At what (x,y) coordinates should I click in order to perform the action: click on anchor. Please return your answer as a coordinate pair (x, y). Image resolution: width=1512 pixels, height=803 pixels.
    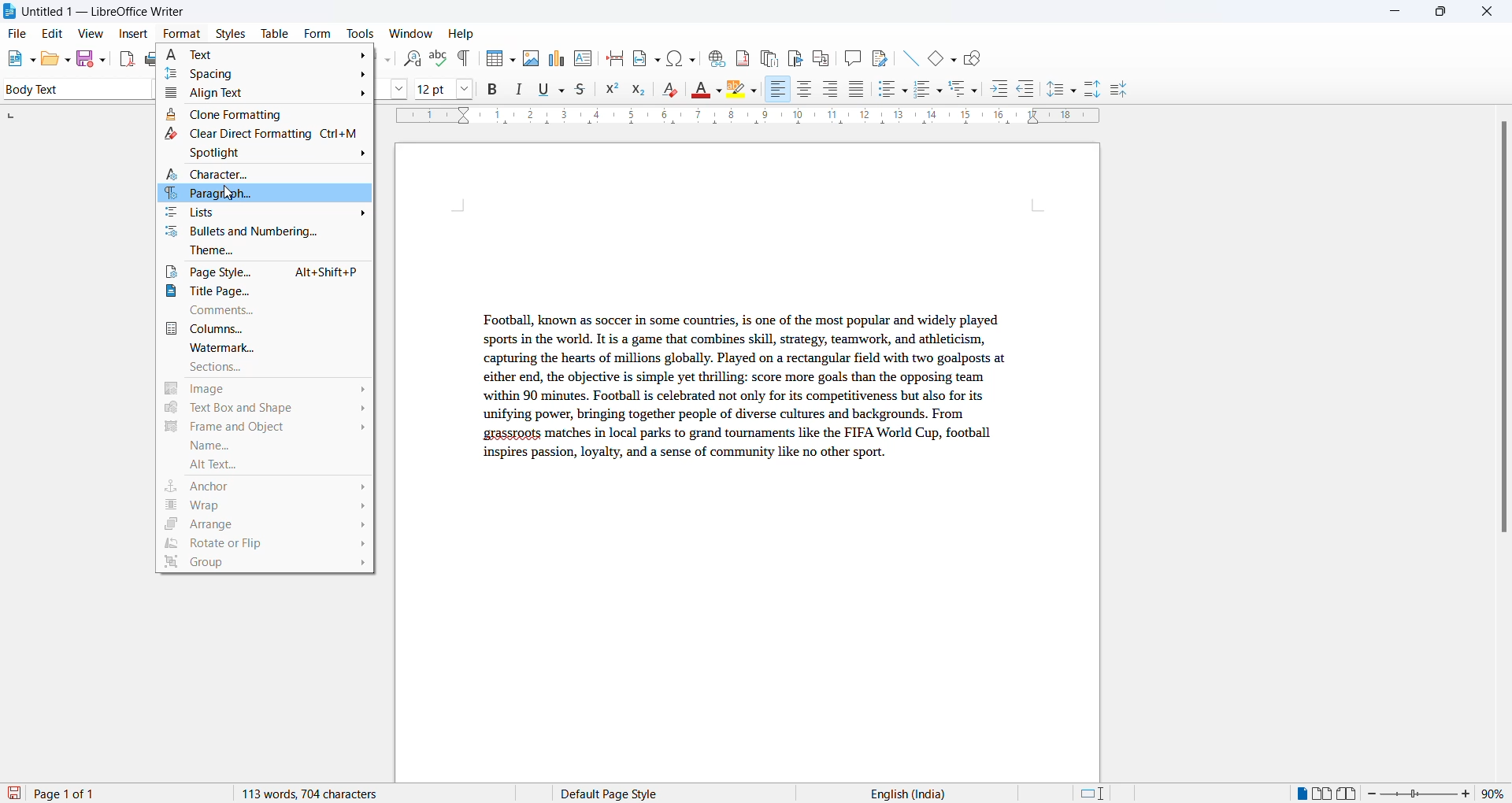
    Looking at the image, I should click on (264, 486).